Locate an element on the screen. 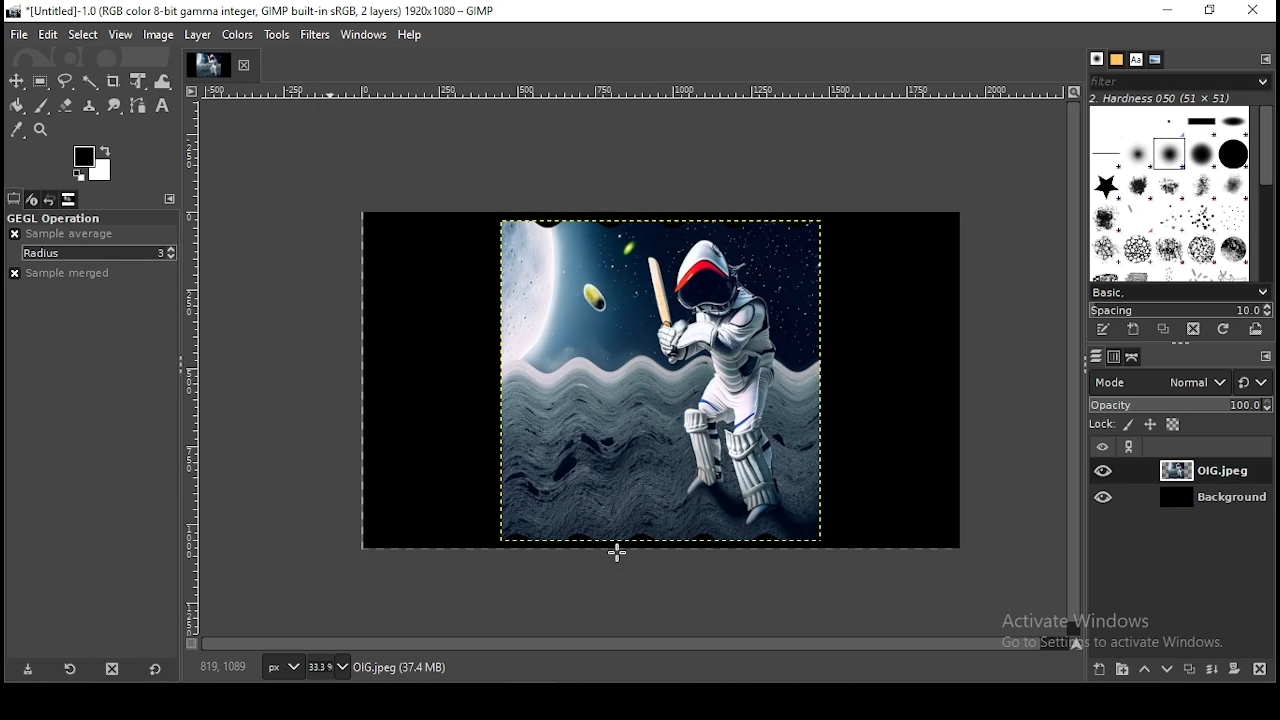 The height and width of the screenshot is (720, 1280). paths is located at coordinates (1132, 357).